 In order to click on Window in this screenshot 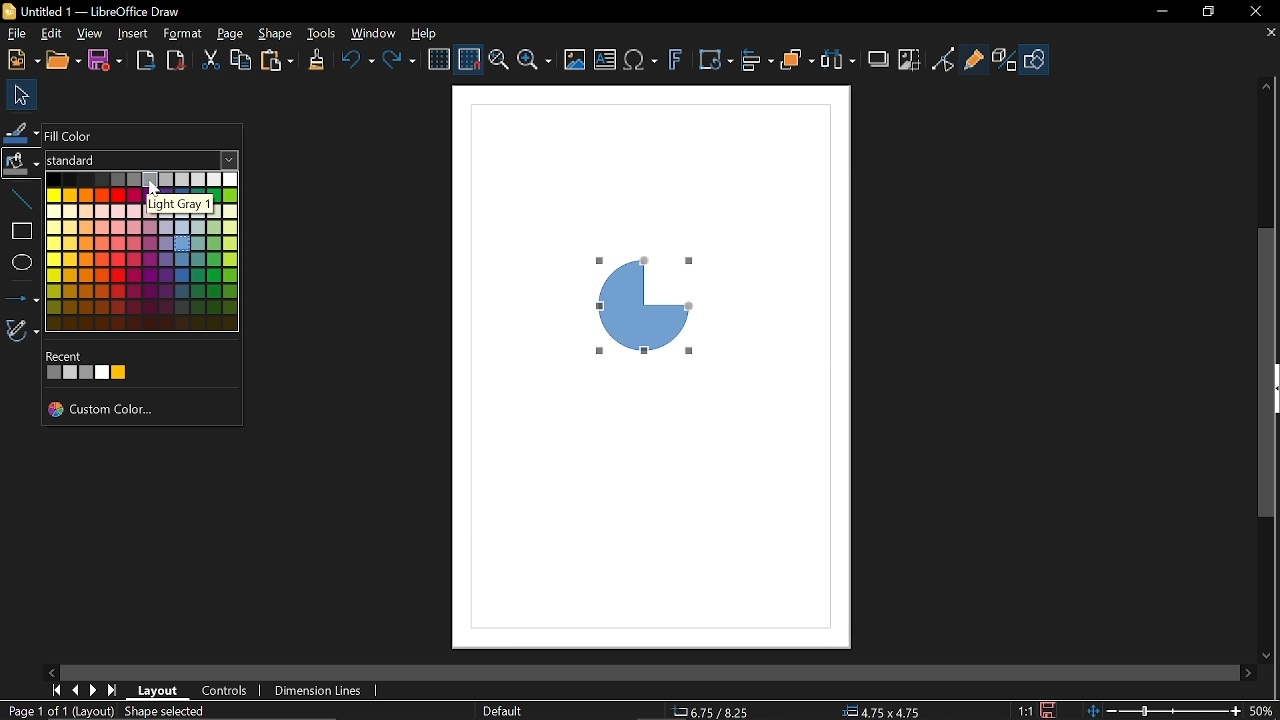, I will do `click(374, 34)`.